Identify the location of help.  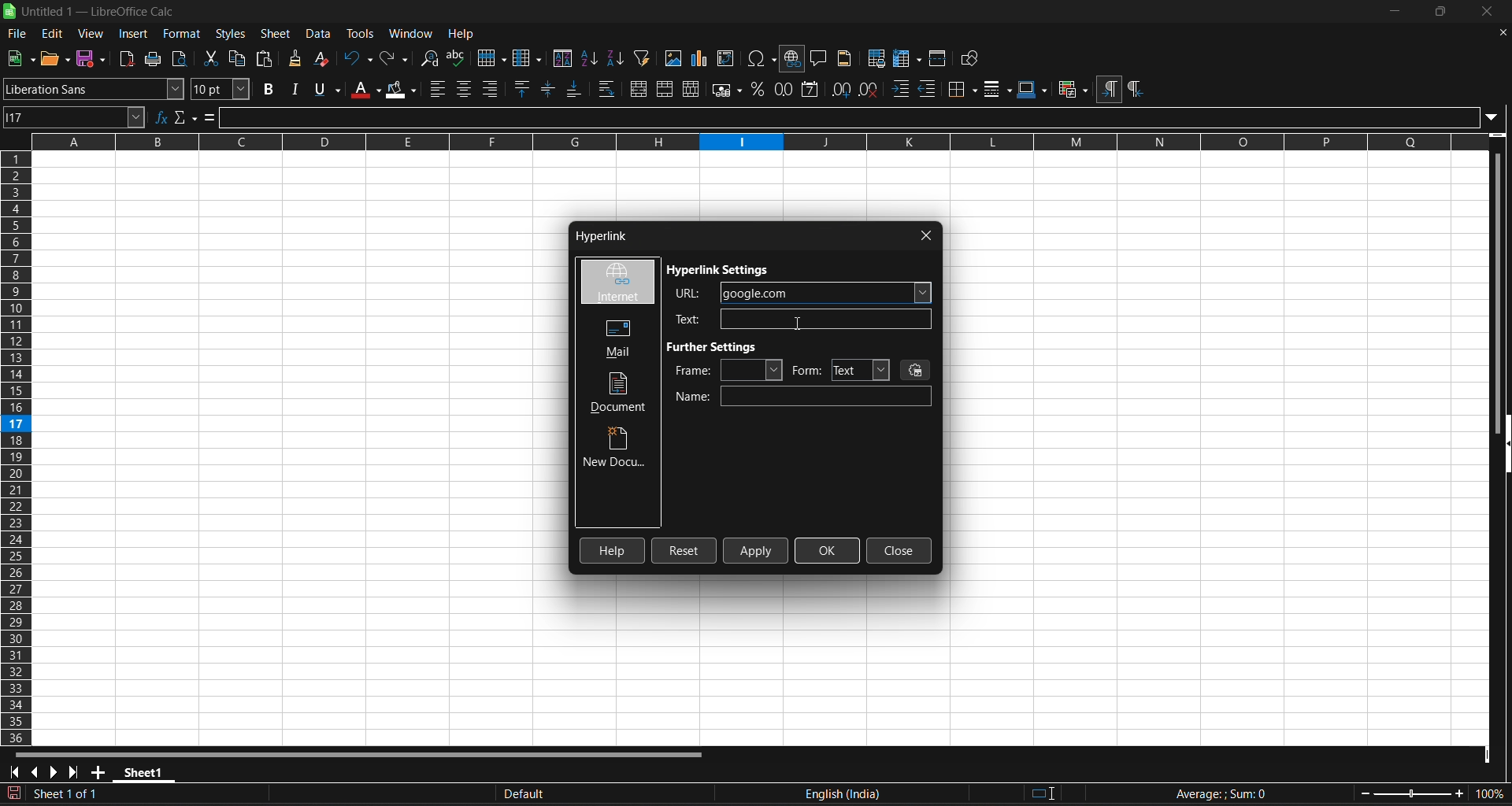
(613, 550).